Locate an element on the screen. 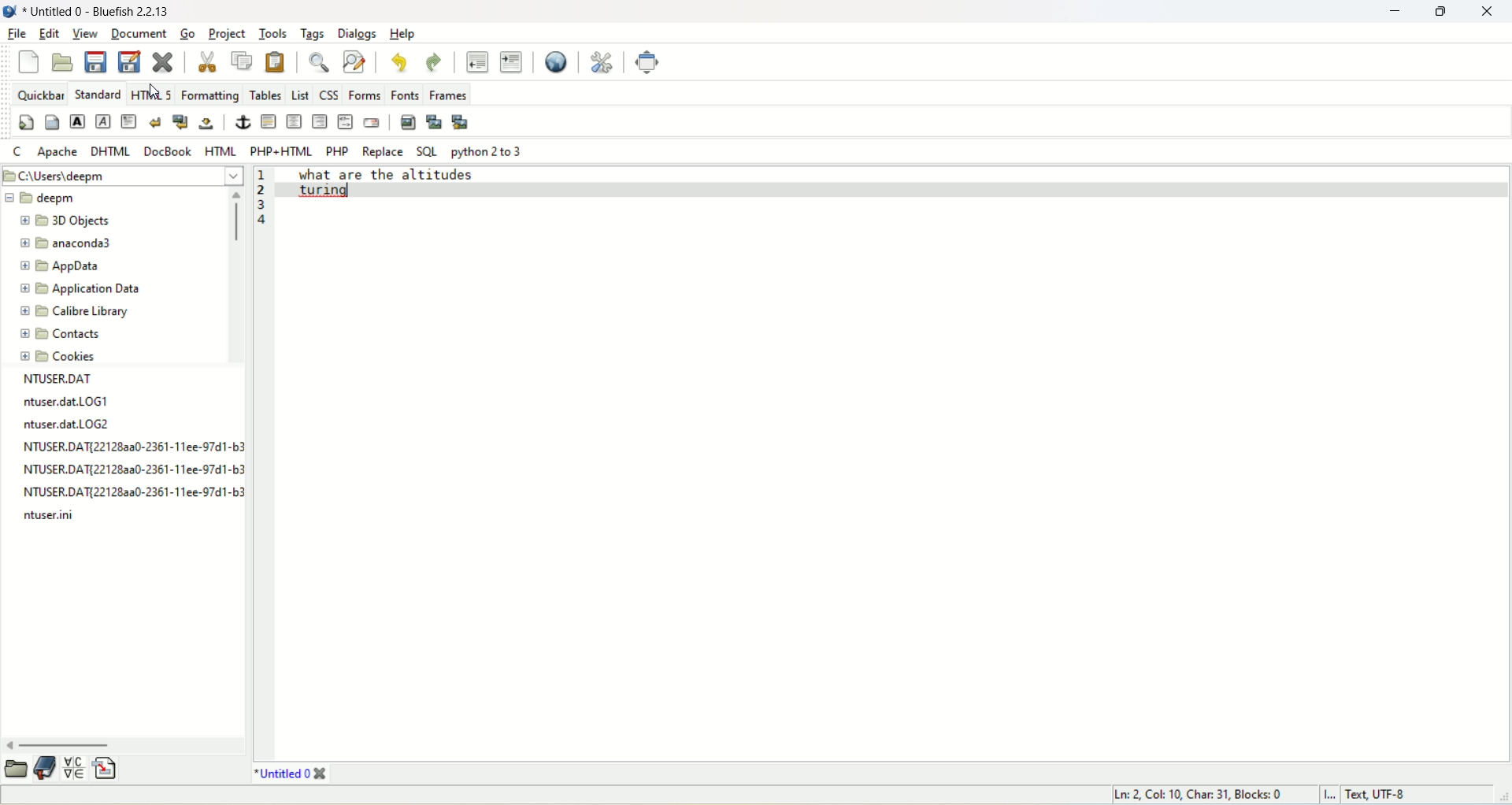 The image size is (1512, 805). multi thumbnail is located at coordinates (461, 121).